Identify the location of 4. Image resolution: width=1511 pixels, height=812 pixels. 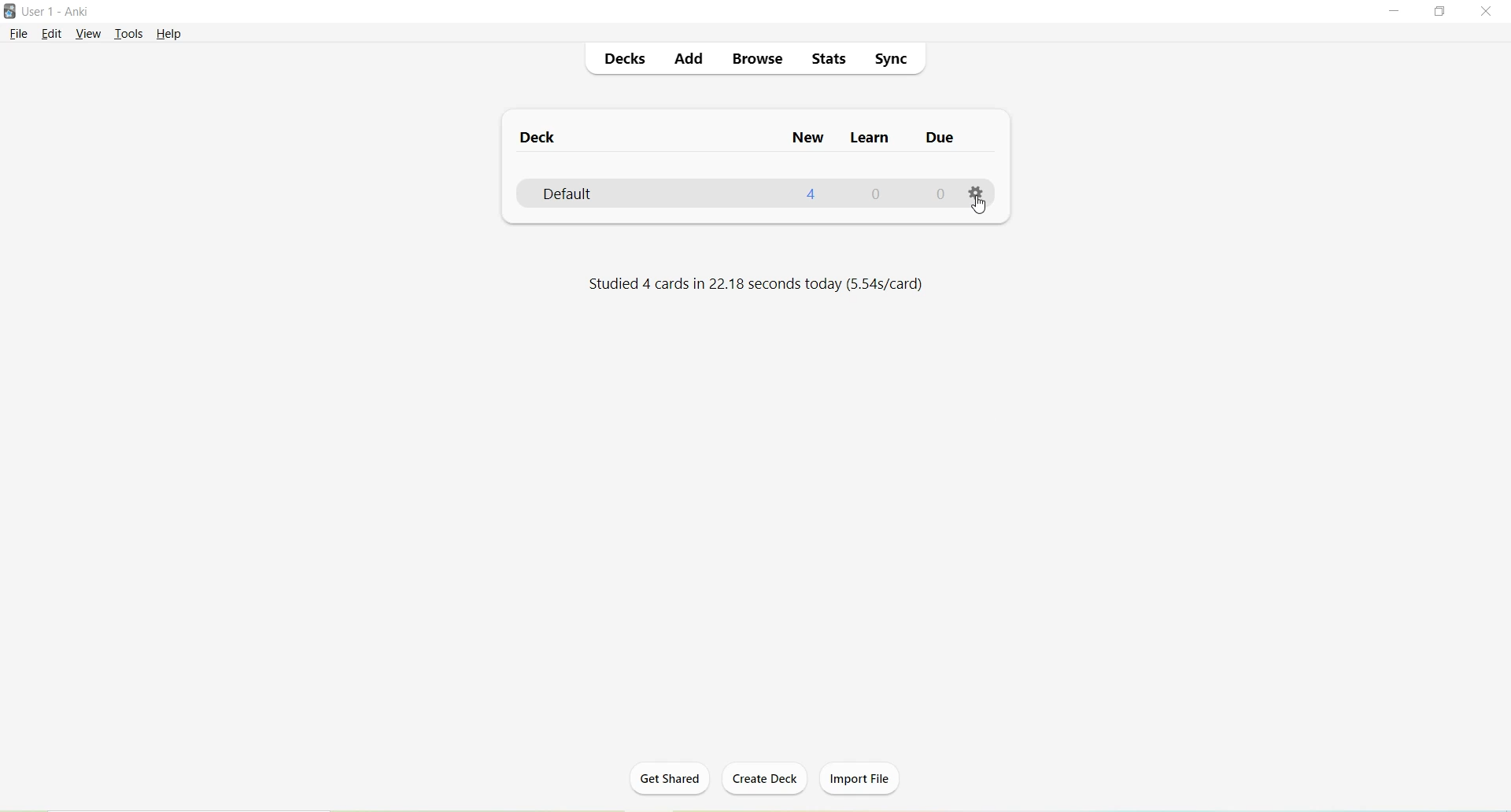
(812, 194).